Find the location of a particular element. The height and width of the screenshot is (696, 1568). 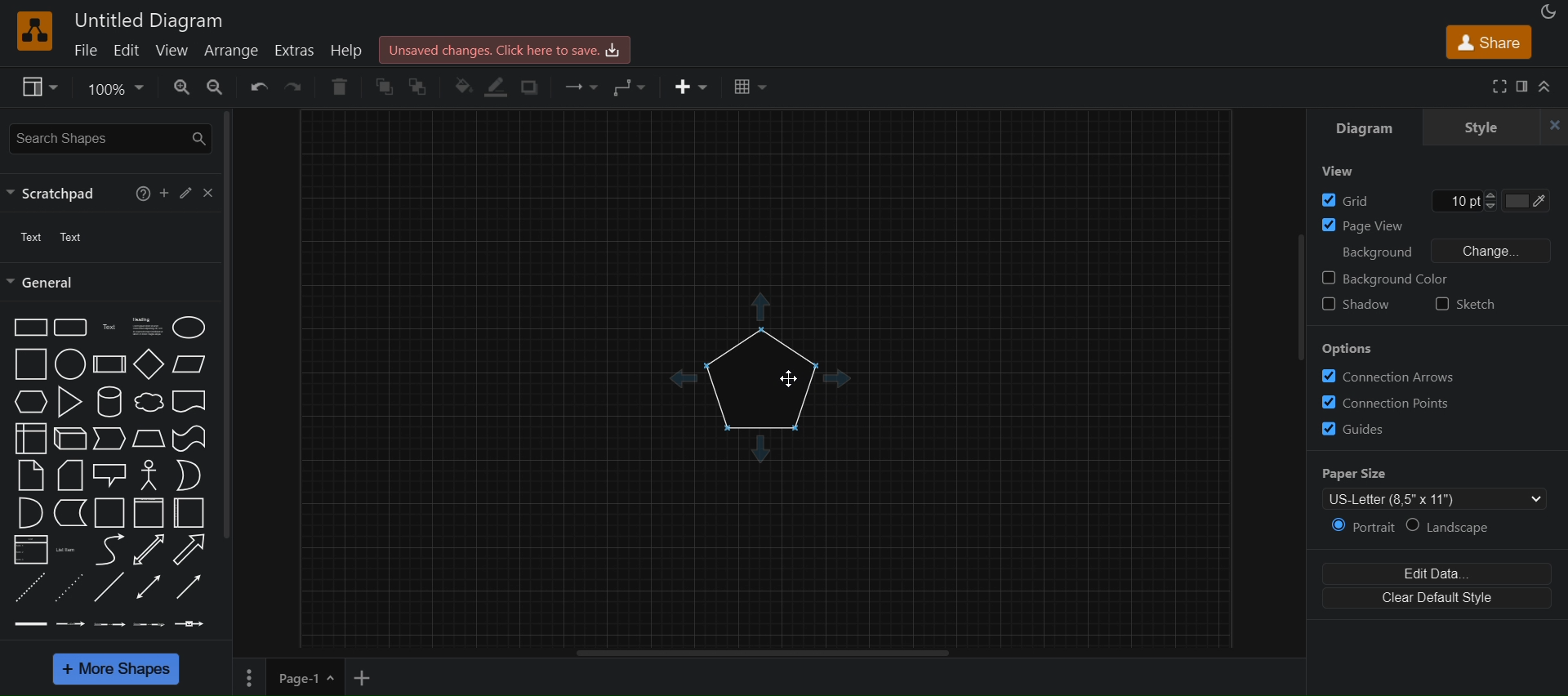

help is located at coordinates (143, 194).